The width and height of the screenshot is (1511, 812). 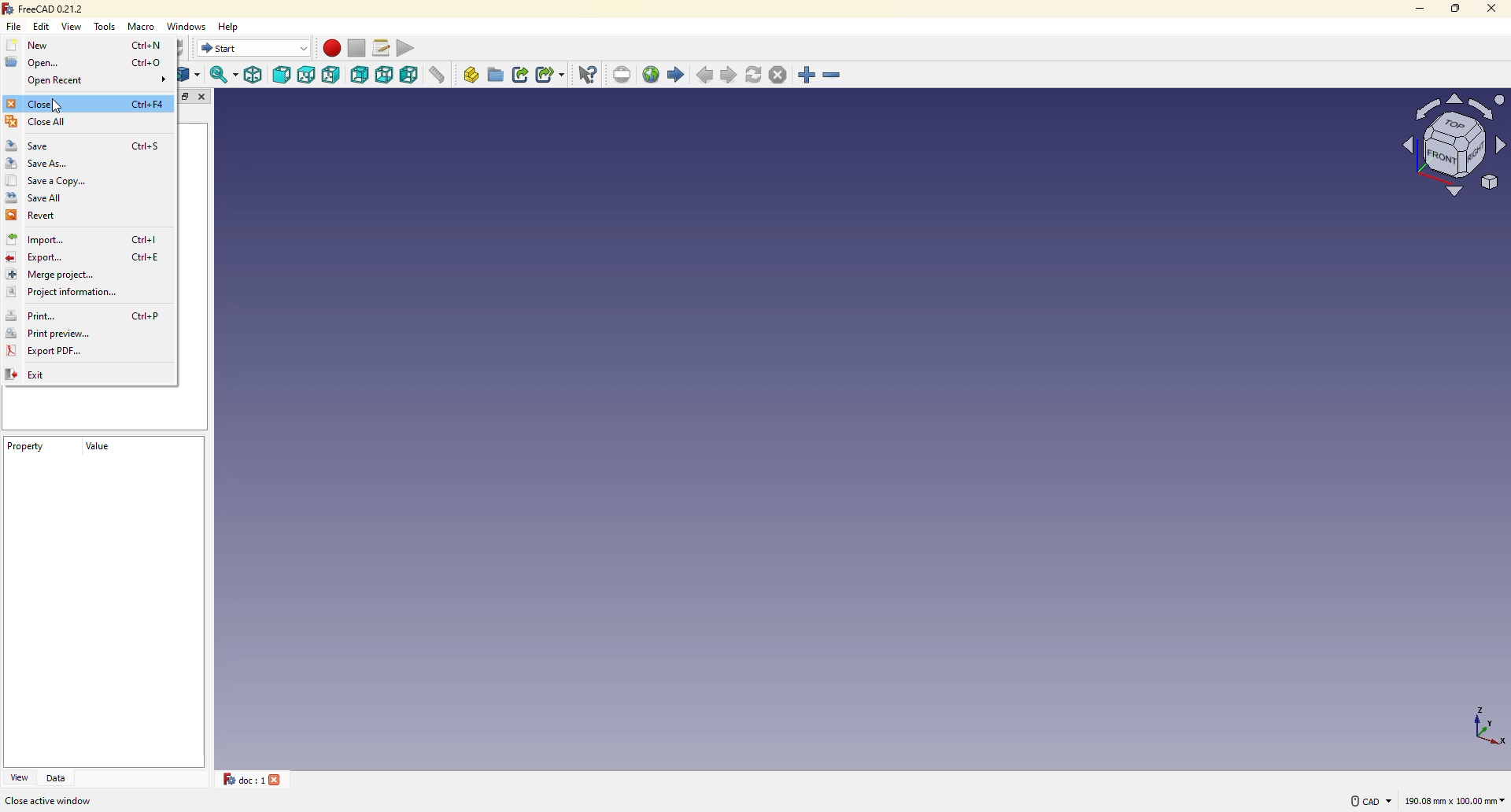 What do you see at coordinates (1476, 725) in the screenshot?
I see `co-ordinates` at bounding box center [1476, 725].